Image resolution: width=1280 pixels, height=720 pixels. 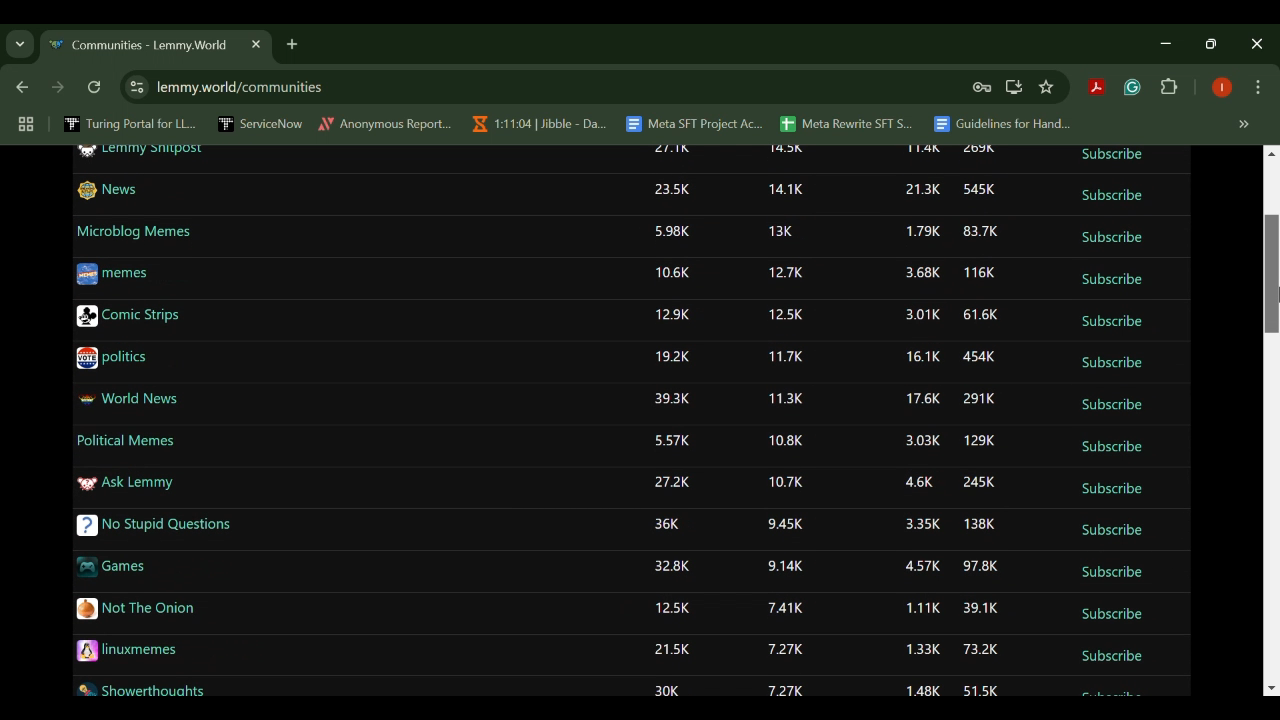 I want to click on News, so click(x=108, y=191).